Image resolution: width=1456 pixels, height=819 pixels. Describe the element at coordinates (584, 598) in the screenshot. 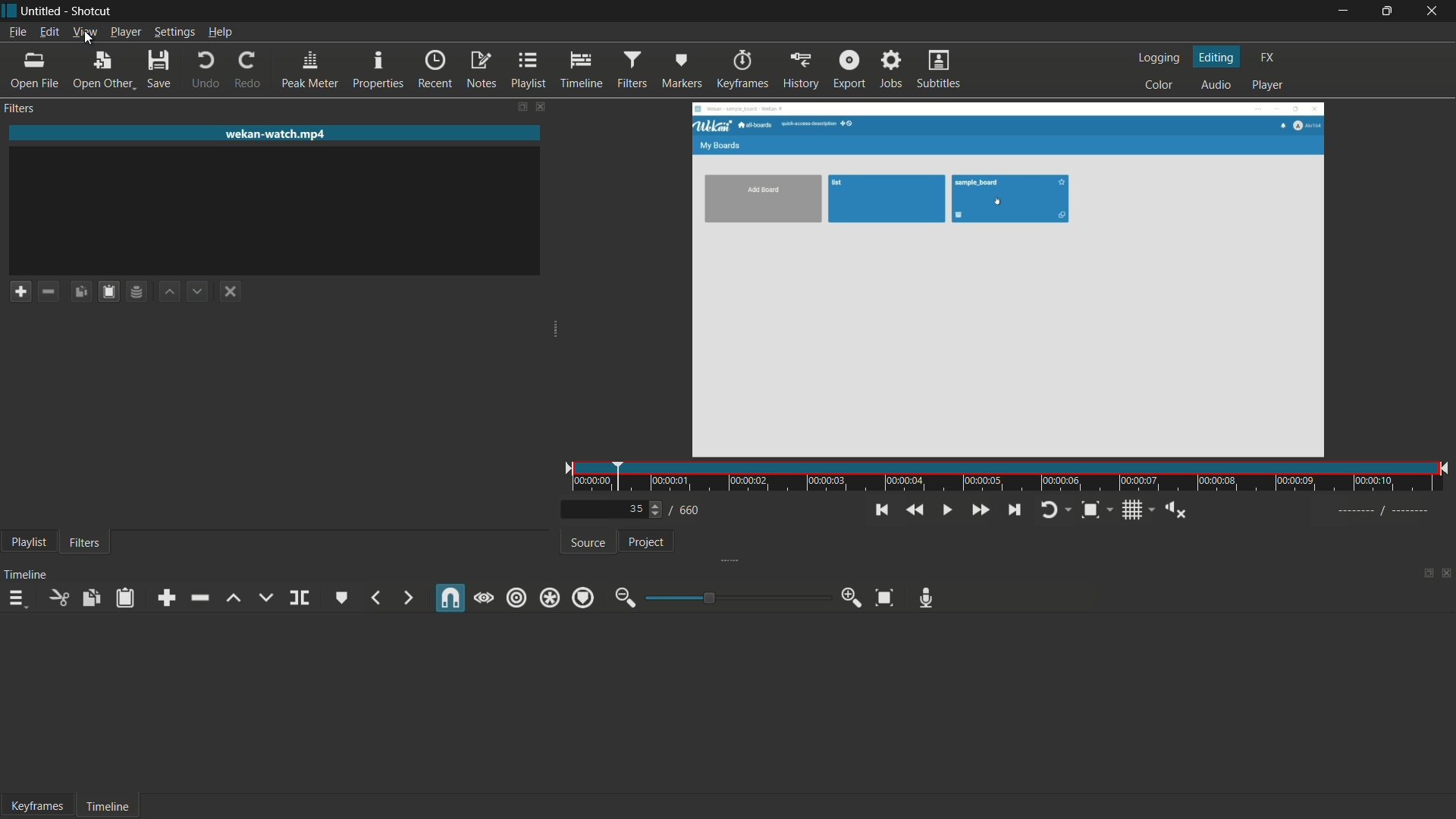

I see `ripple markers` at that location.